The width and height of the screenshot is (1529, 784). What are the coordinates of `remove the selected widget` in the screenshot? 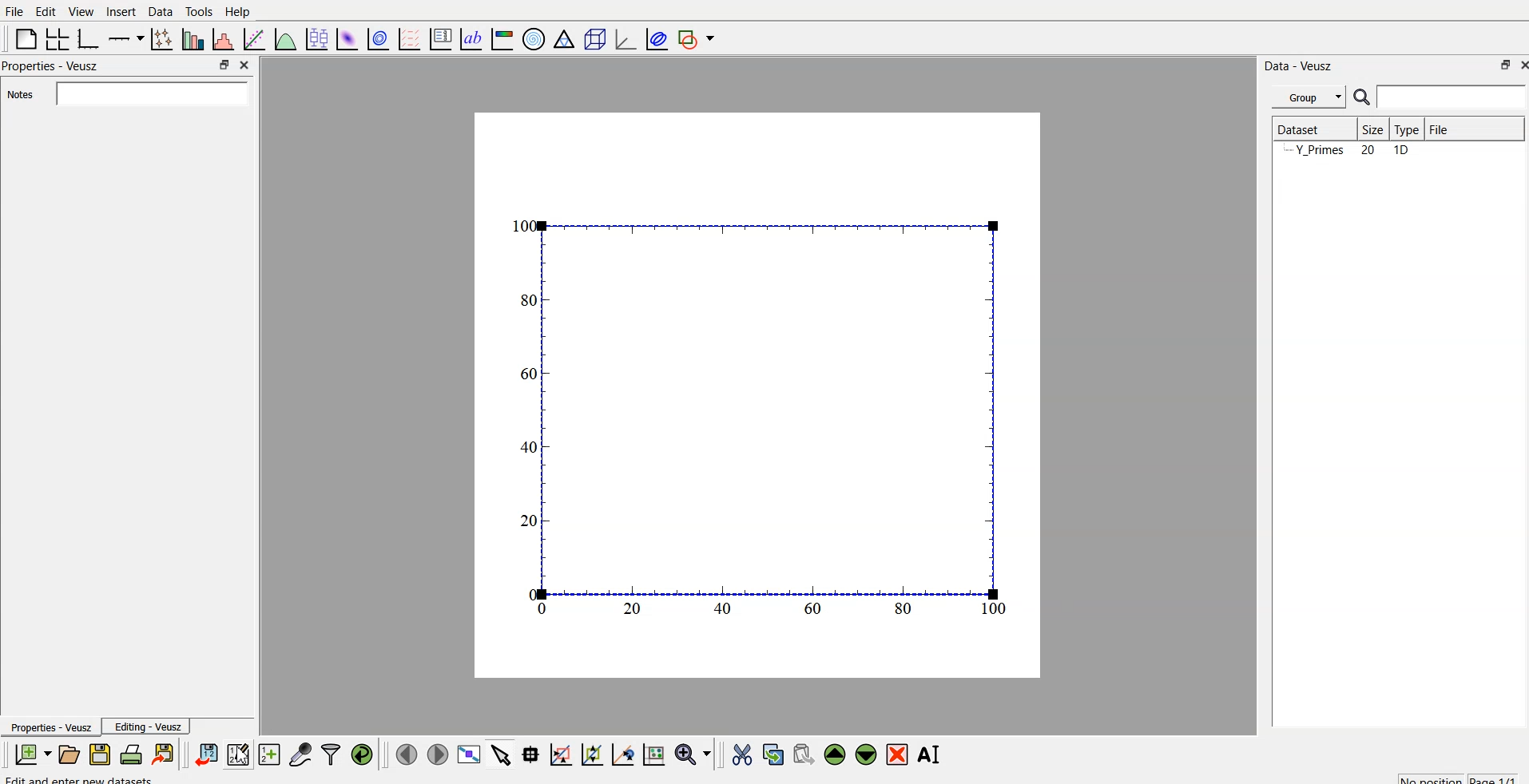 It's located at (900, 754).